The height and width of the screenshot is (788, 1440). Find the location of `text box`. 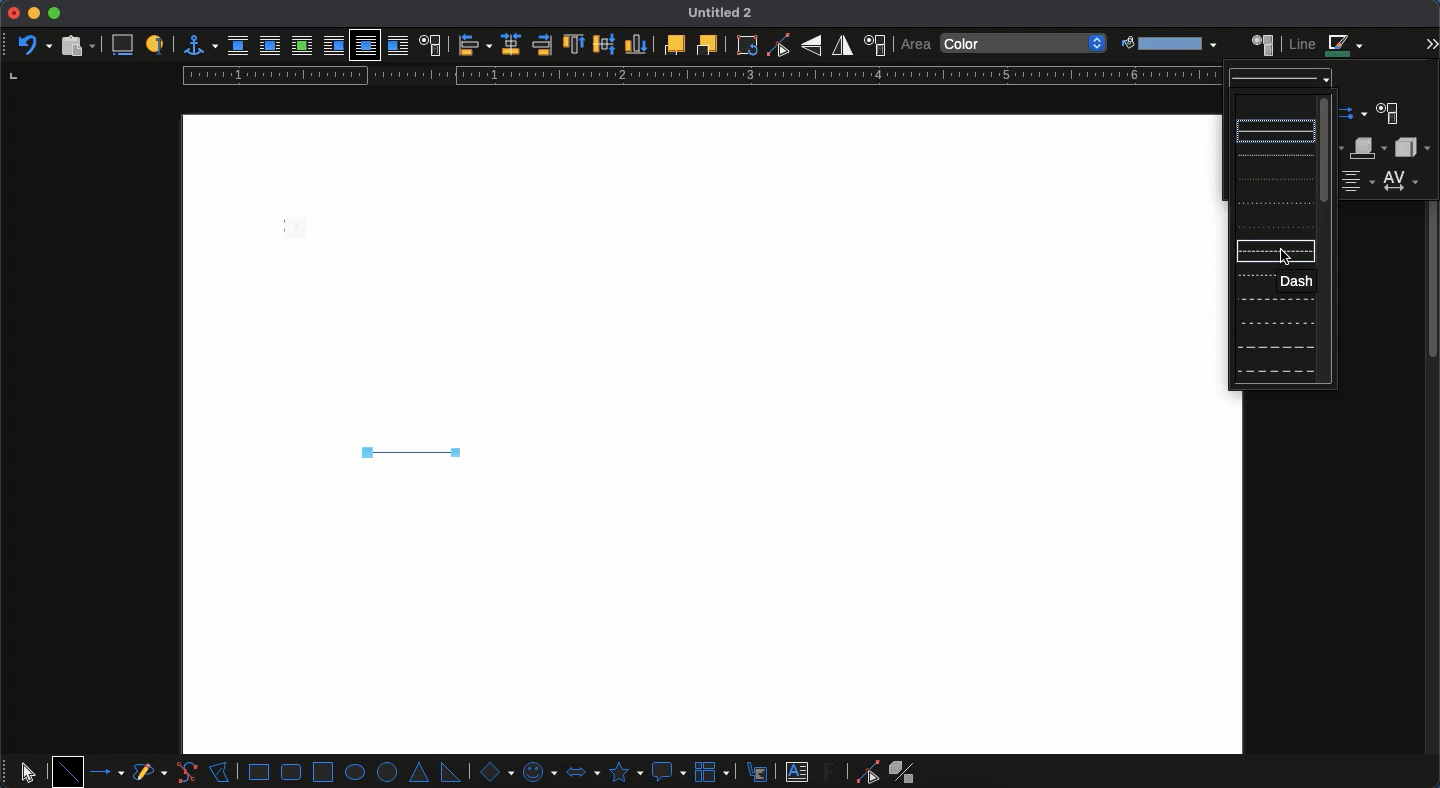

text box is located at coordinates (797, 772).